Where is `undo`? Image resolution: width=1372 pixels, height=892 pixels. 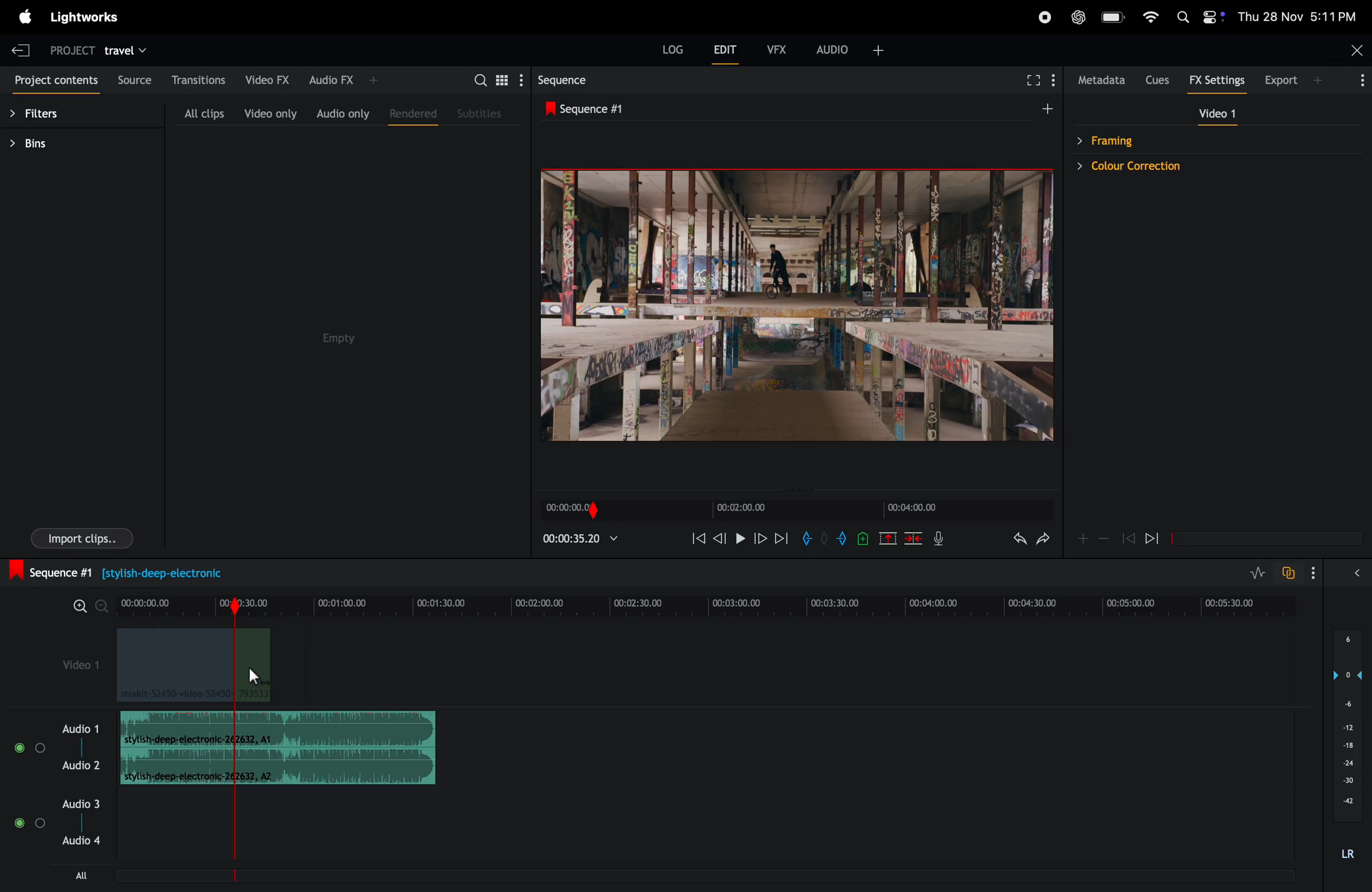
undo is located at coordinates (1011, 543).